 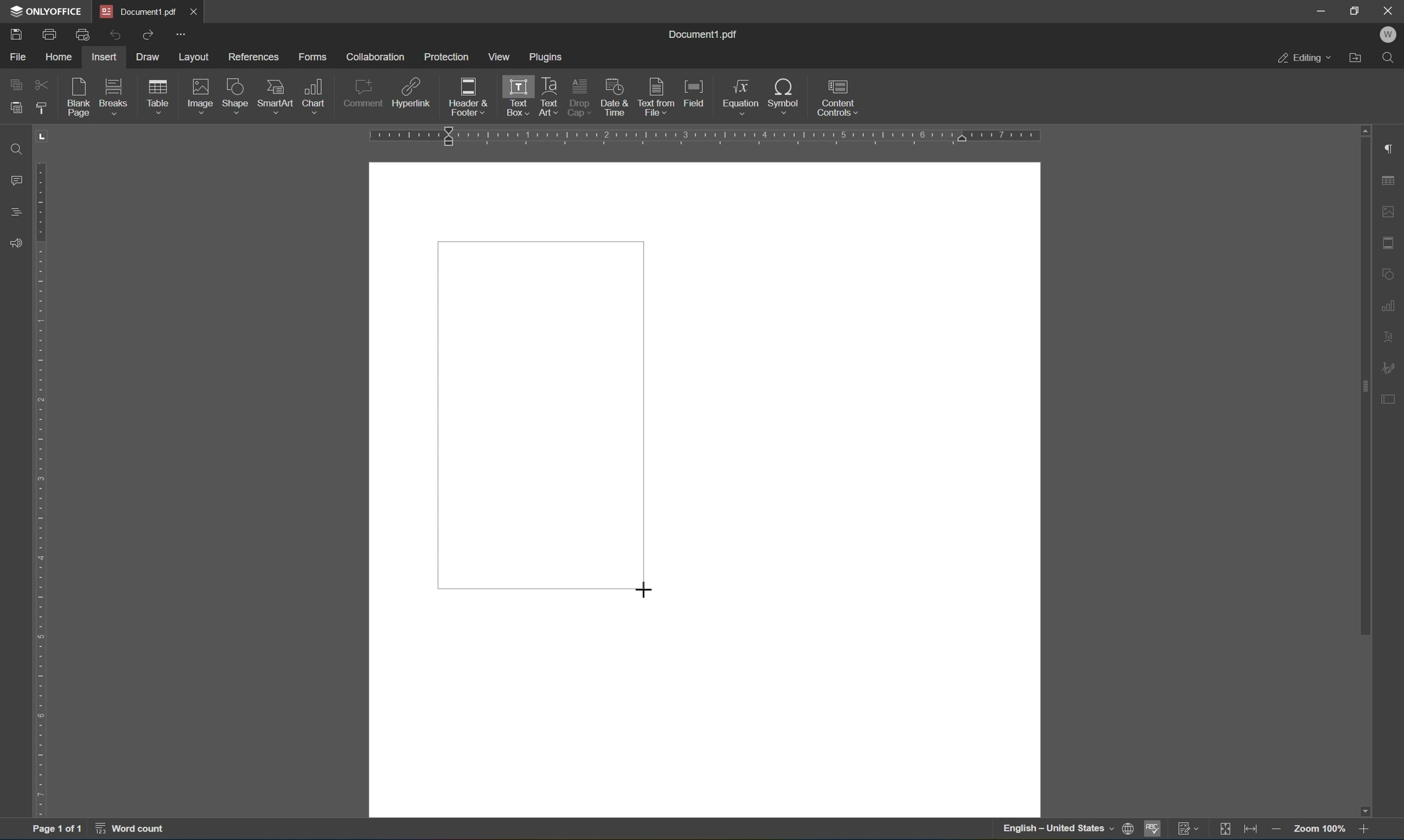 What do you see at coordinates (1389, 273) in the screenshot?
I see `Shape settings` at bounding box center [1389, 273].